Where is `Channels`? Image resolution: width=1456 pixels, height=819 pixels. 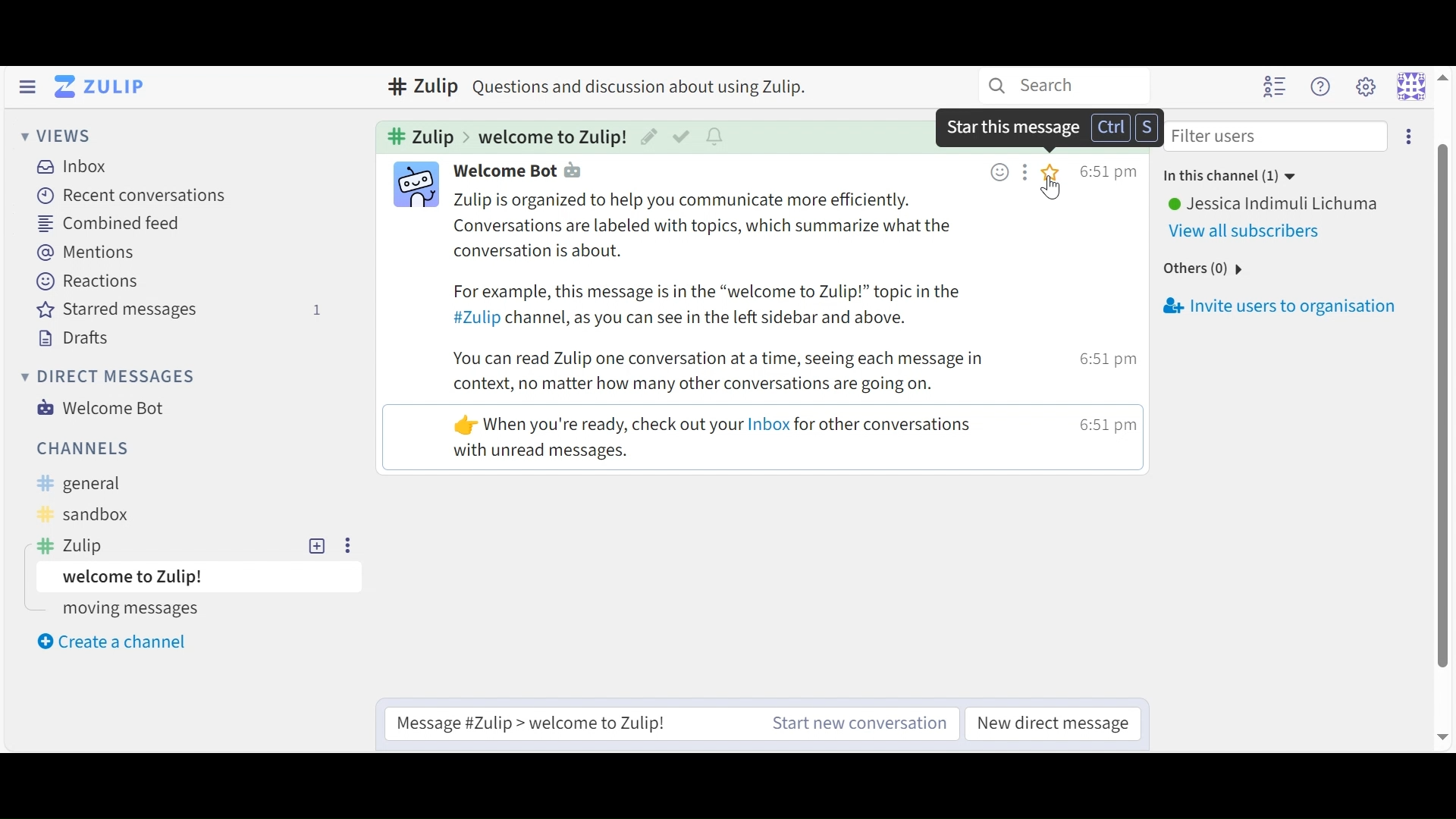
Channels is located at coordinates (80, 450).